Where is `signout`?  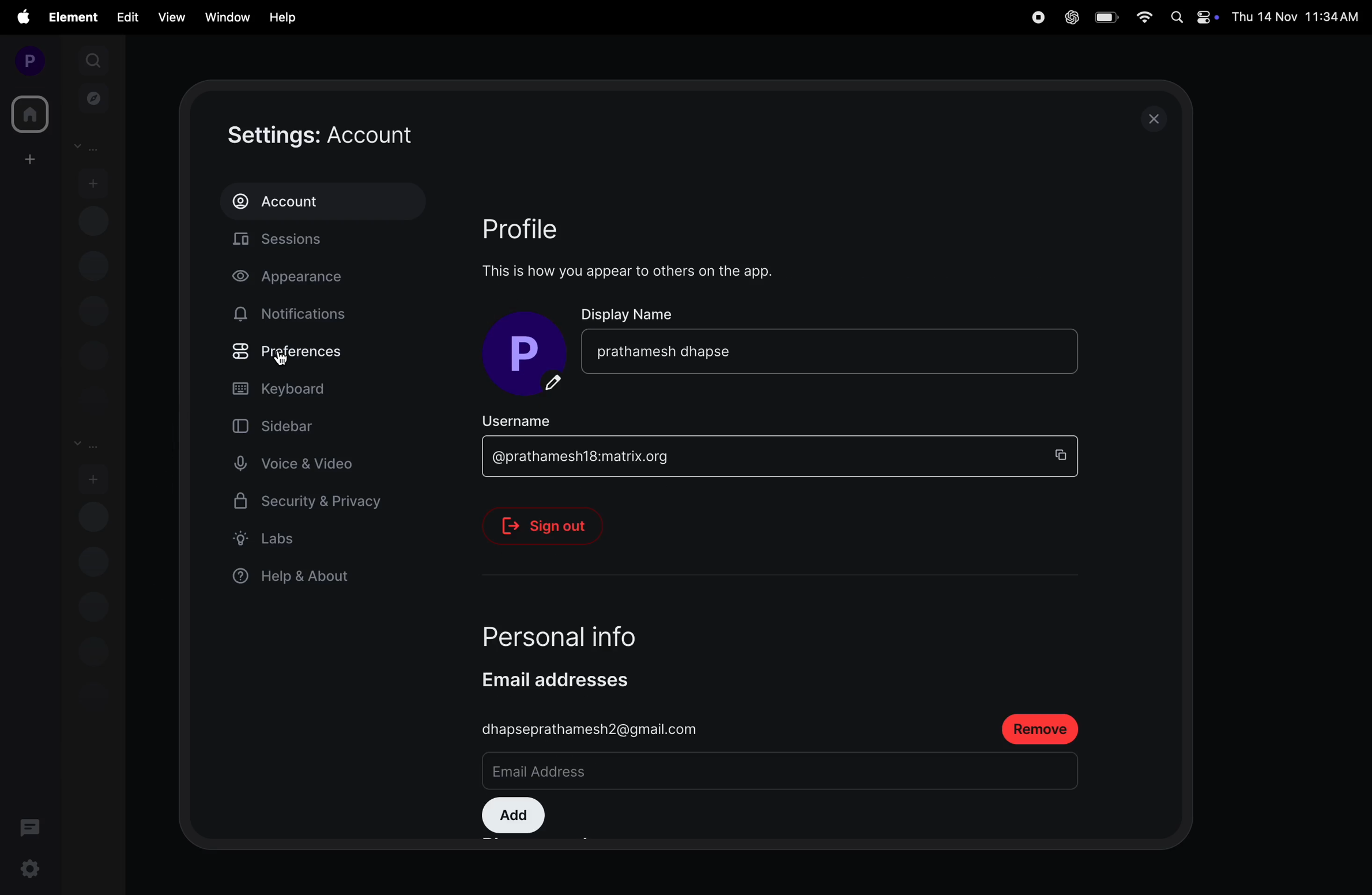 signout is located at coordinates (548, 528).